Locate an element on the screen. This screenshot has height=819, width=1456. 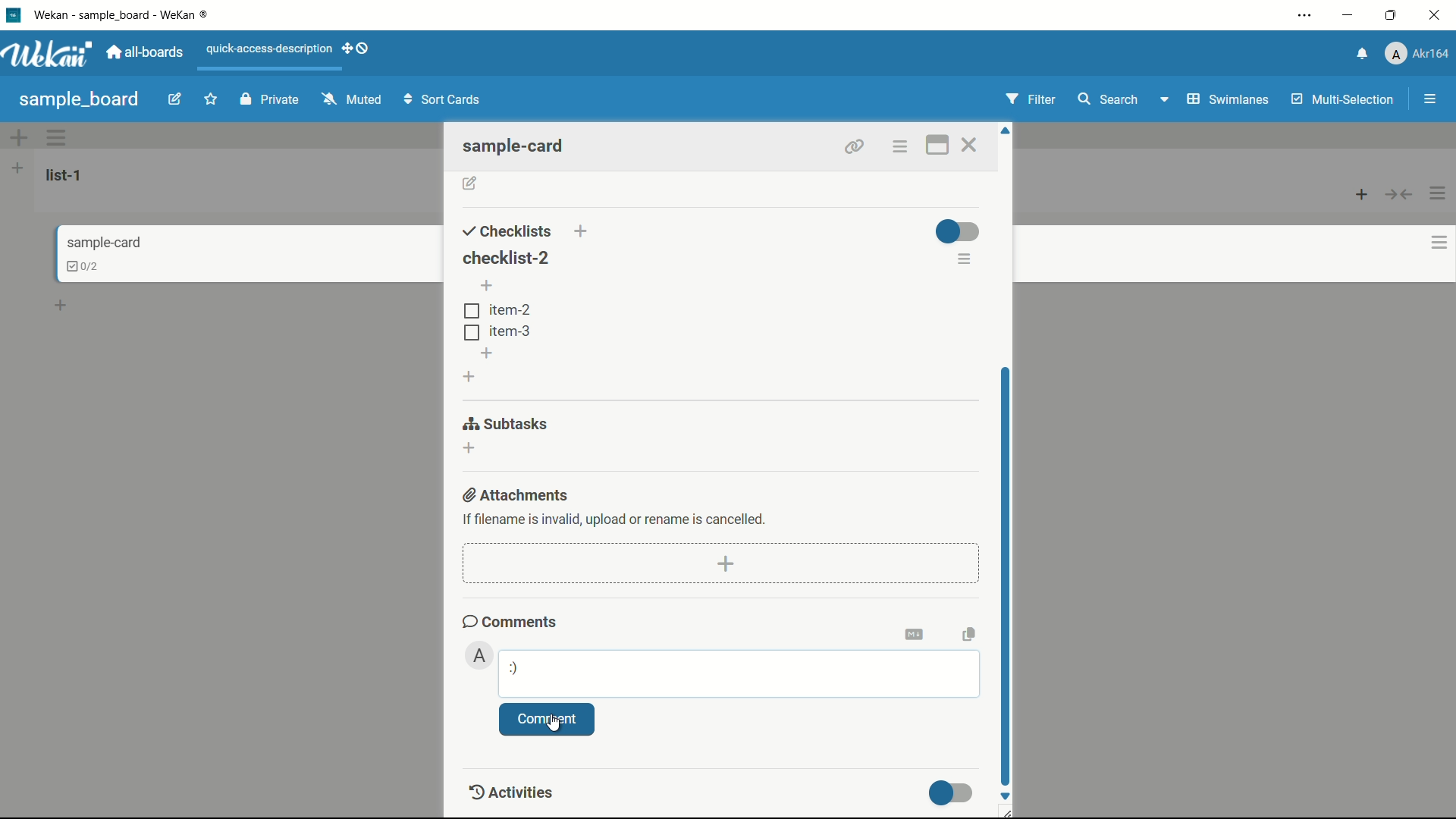
close card is located at coordinates (973, 145).